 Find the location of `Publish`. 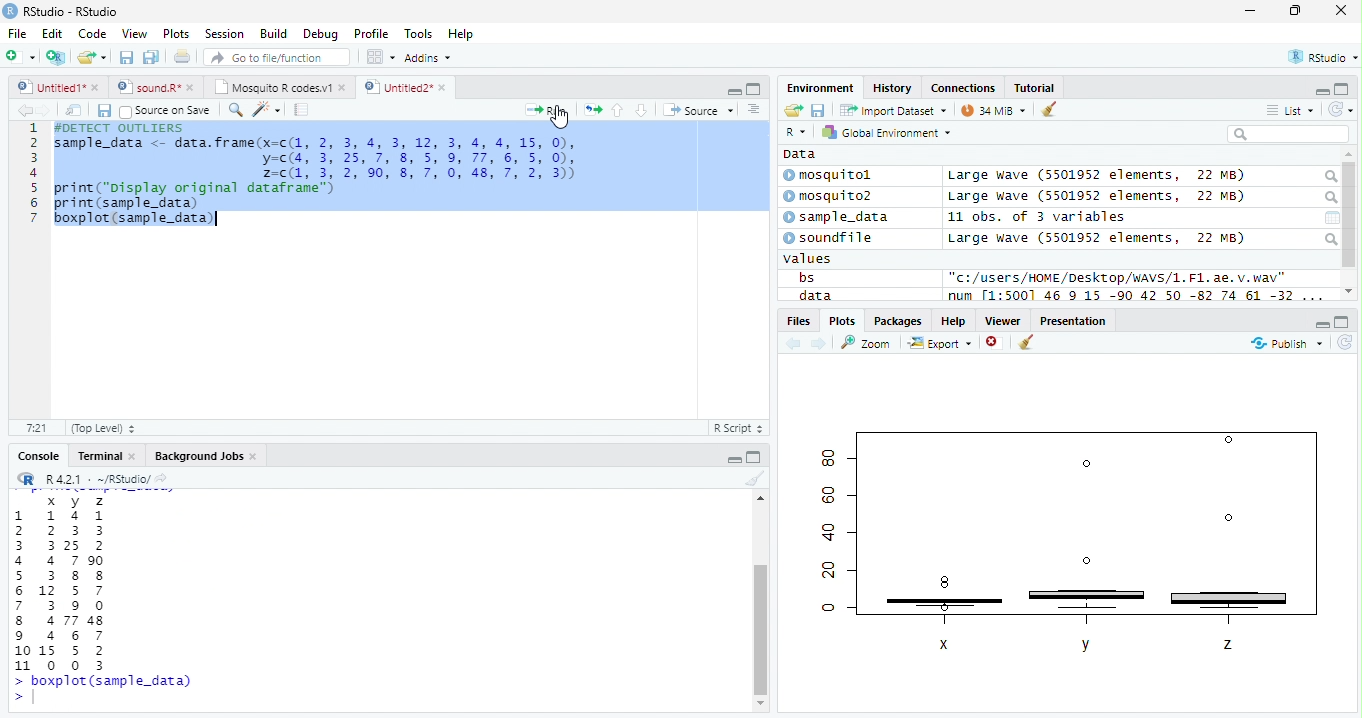

Publish is located at coordinates (1286, 344).